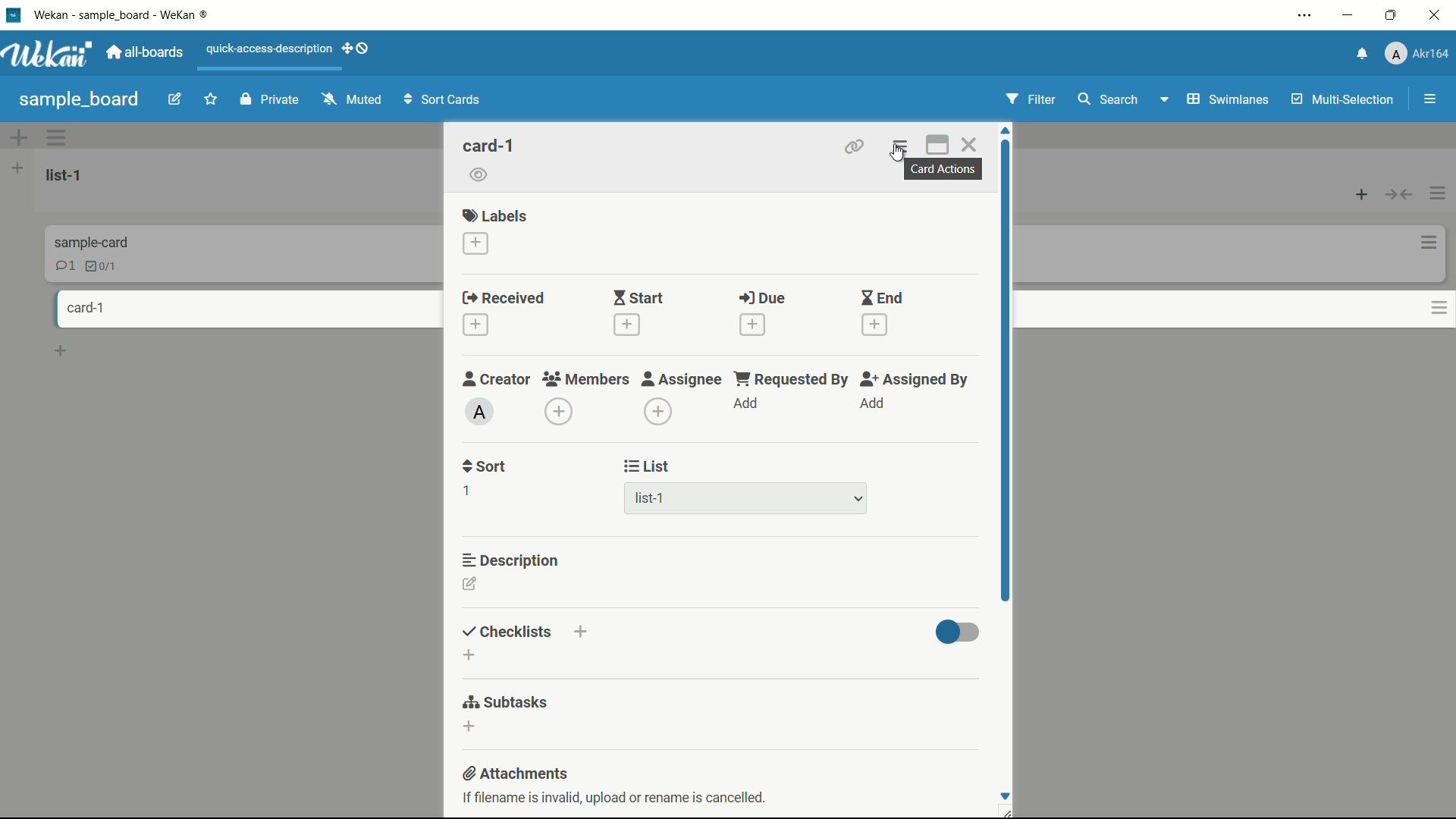  I want to click on swimlanes, so click(1213, 99).